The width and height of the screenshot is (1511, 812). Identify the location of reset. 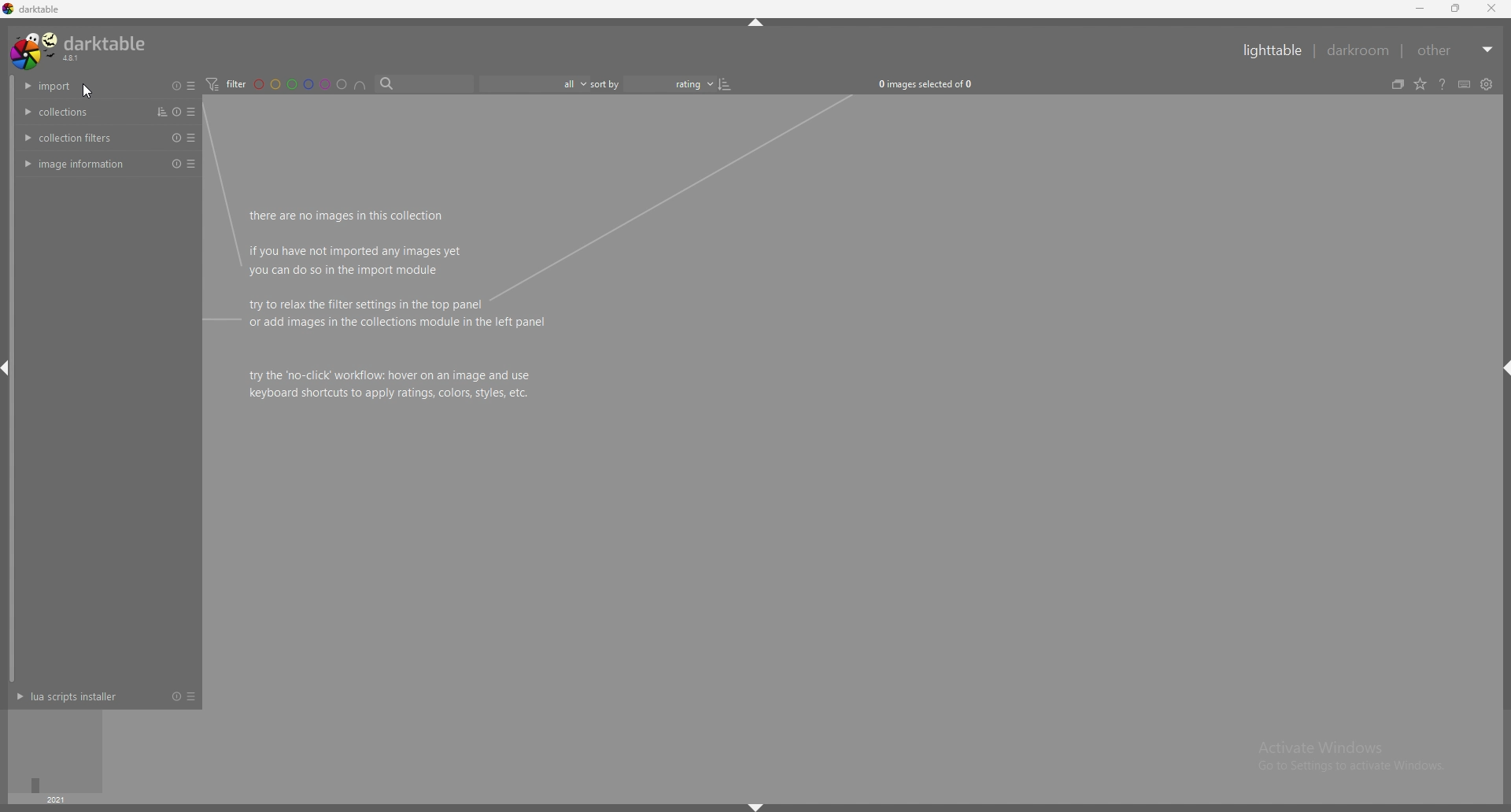
(177, 87).